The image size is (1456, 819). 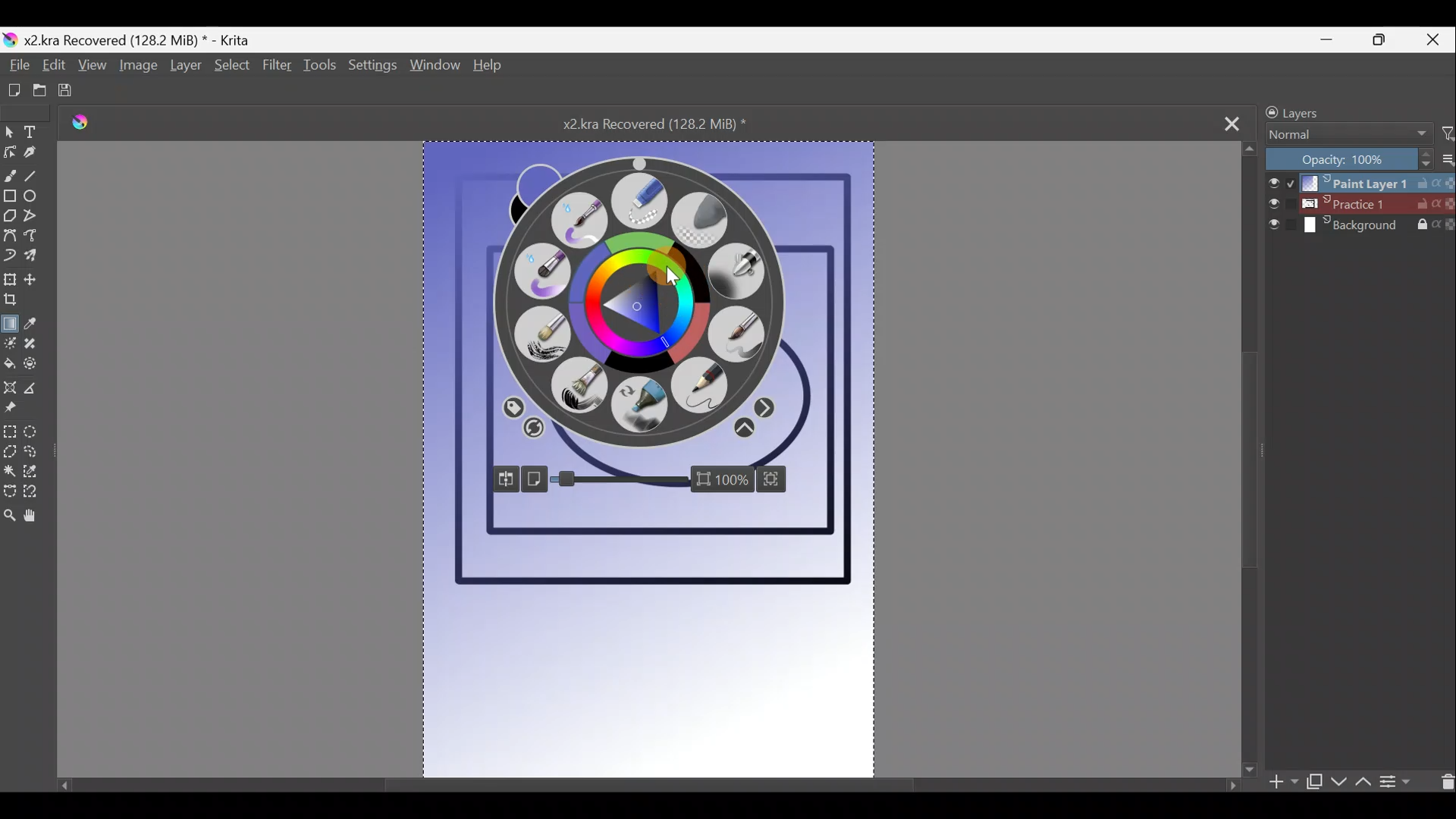 What do you see at coordinates (10, 90) in the screenshot?
I see `Create new document` at bounding box center [10, 90].